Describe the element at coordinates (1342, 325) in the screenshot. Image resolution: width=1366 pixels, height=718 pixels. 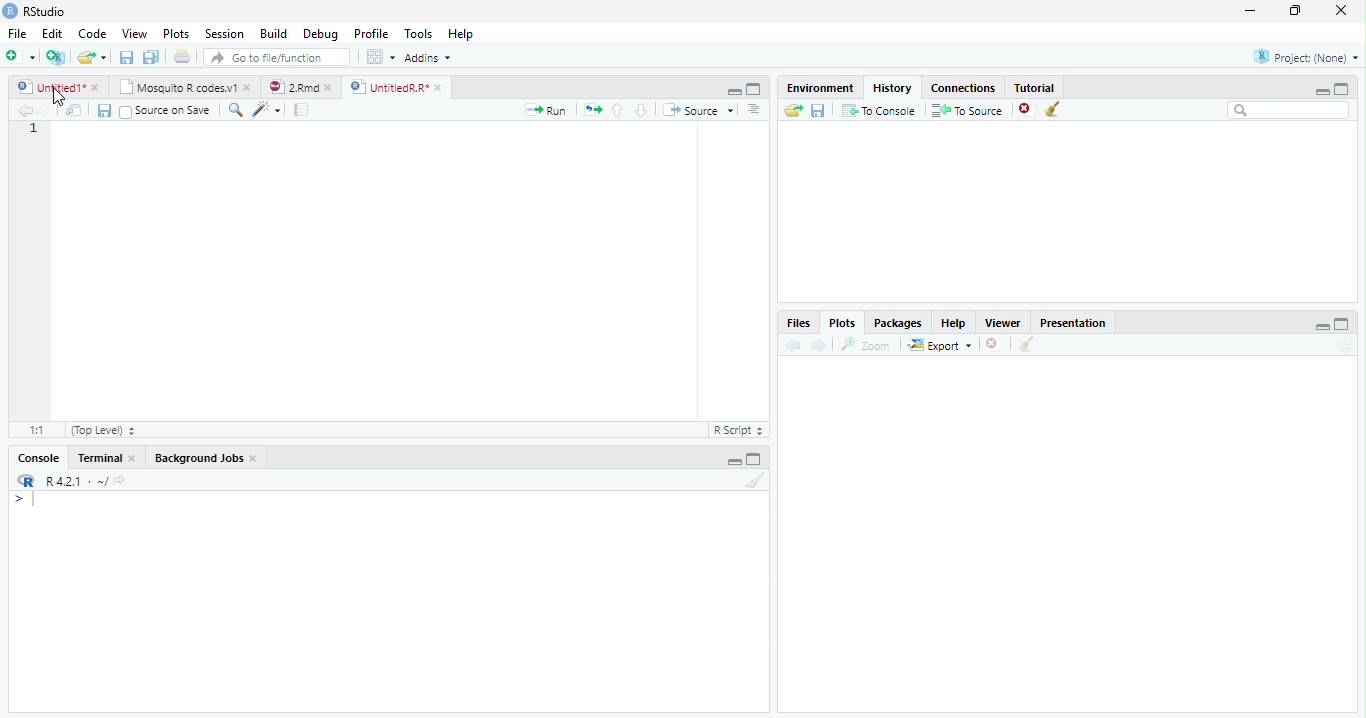
I see `Maximize` at that location.